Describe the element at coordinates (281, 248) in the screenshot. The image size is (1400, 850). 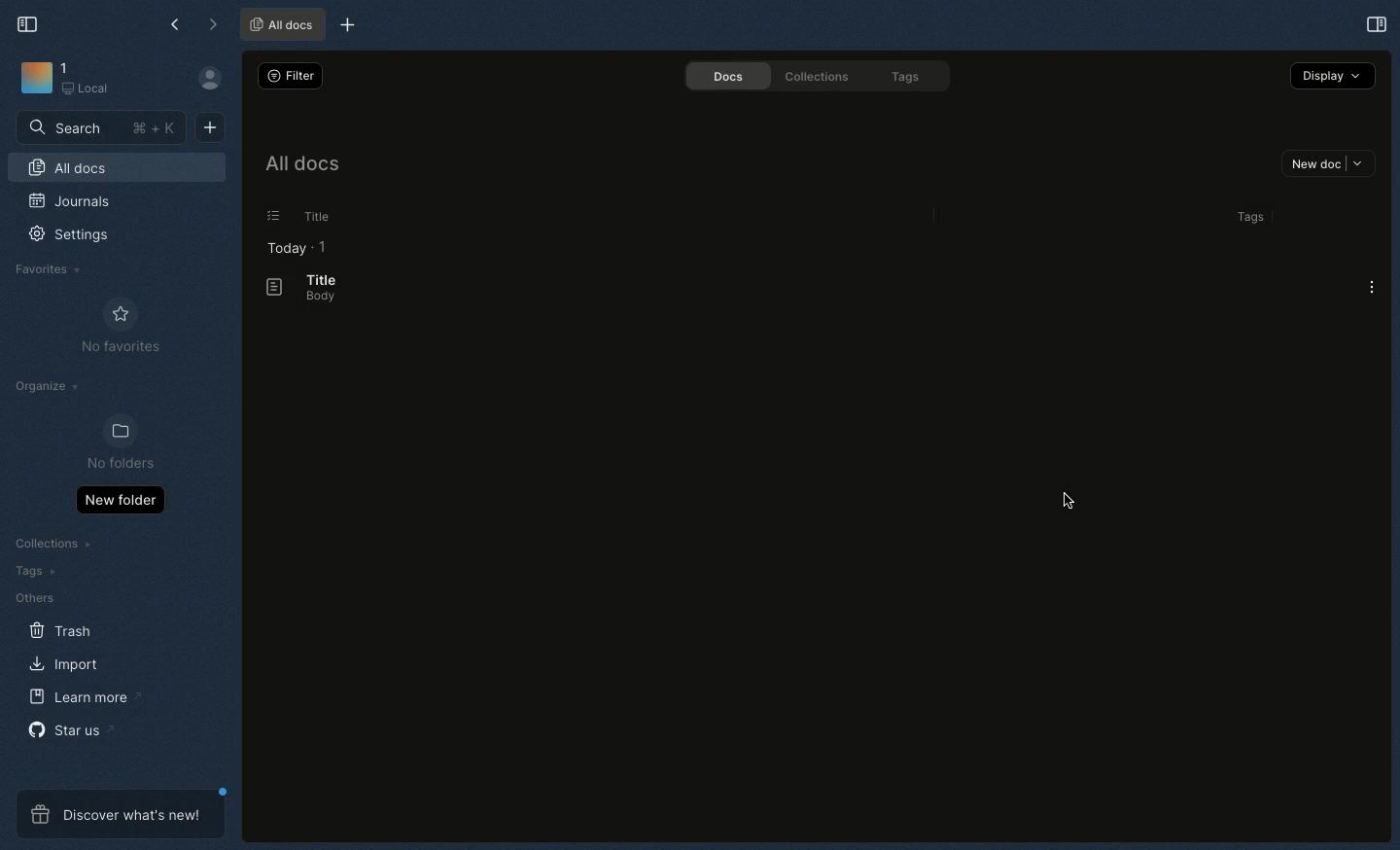
I see `Today` at that location.